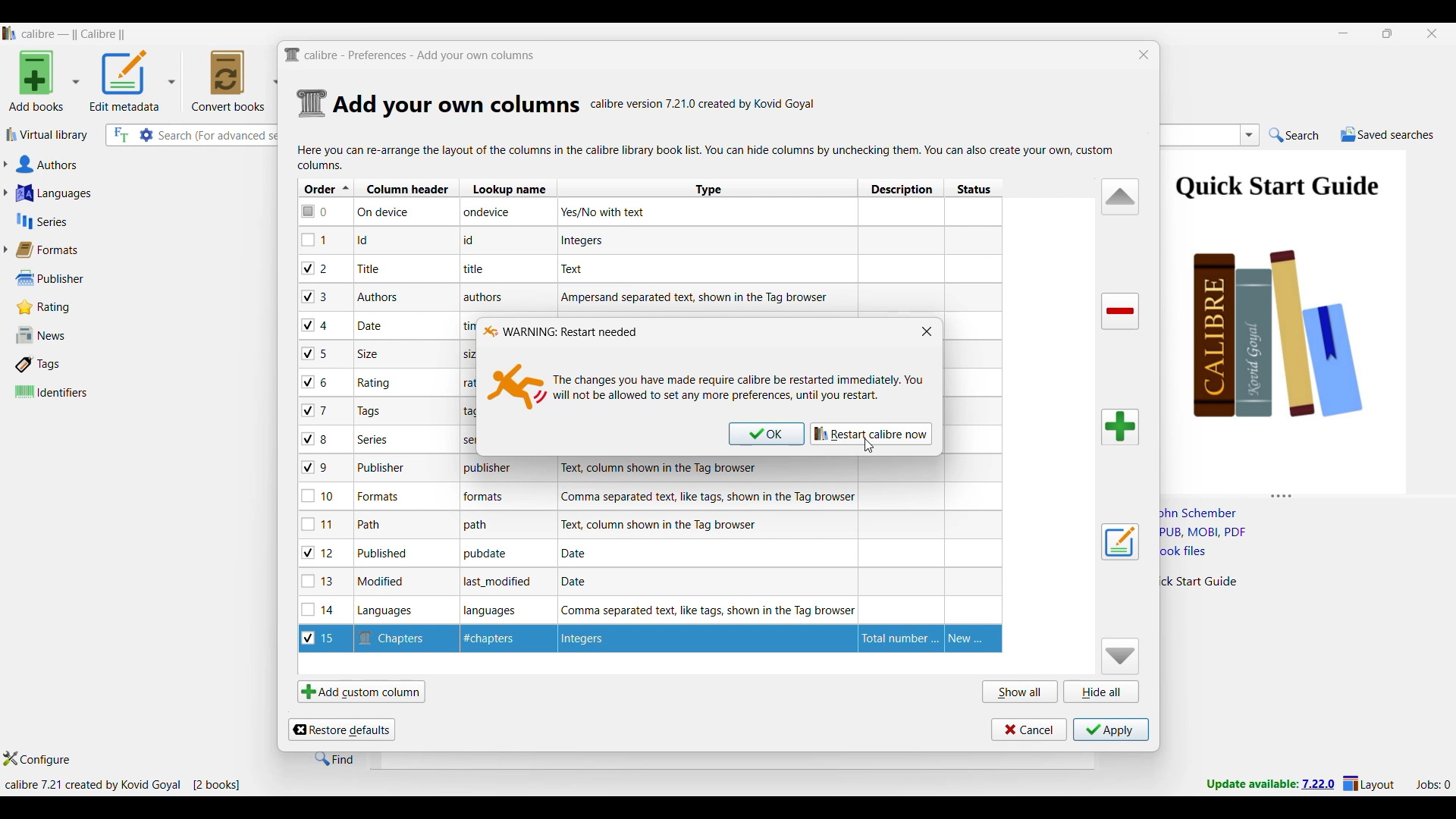 Image resolution: width=1456 pixels, height=819 pixels. I want to click on note, so click(467, 412).